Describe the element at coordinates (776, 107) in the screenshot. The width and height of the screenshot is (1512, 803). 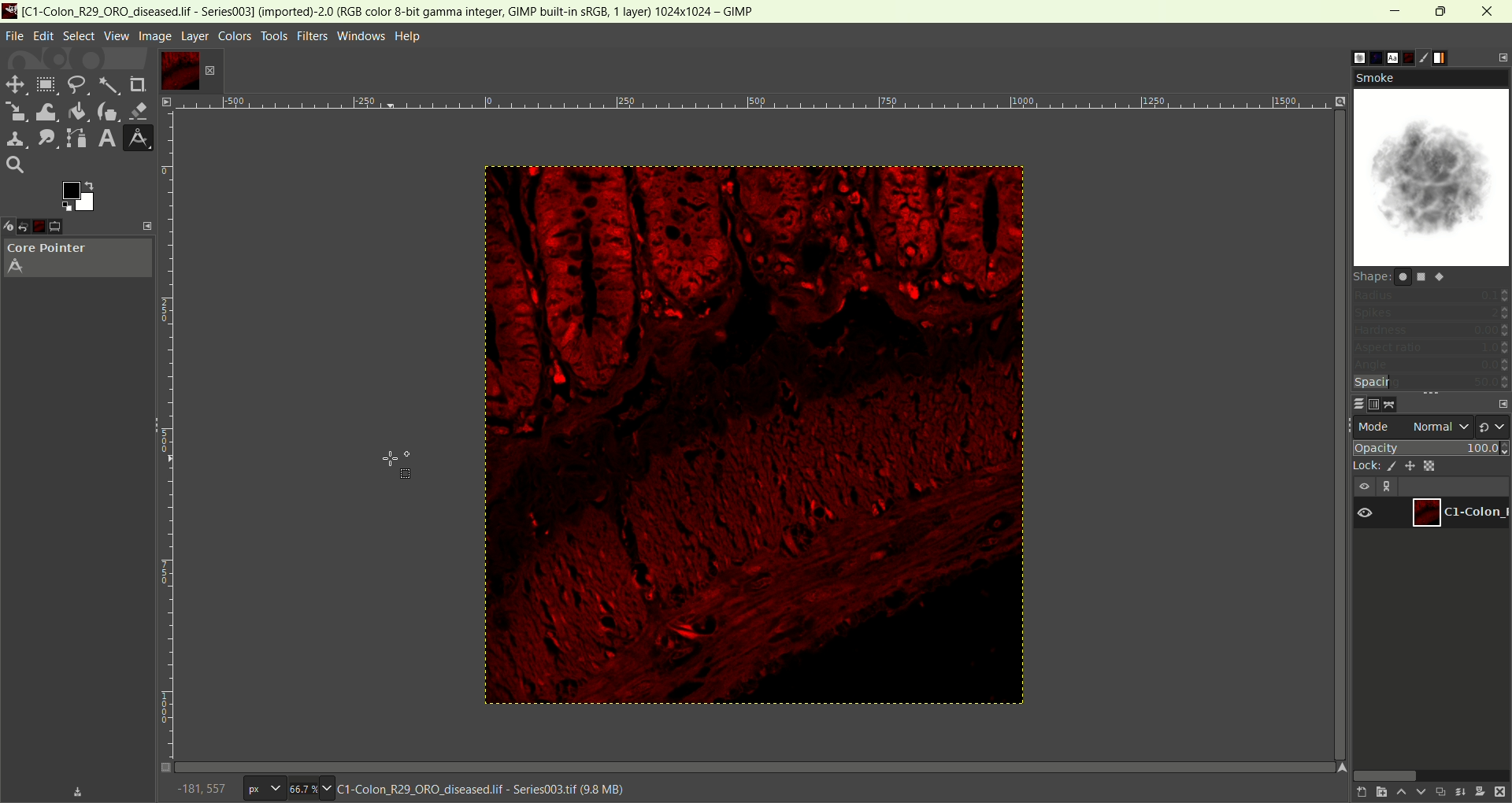
I see `zoom factor` at that location.